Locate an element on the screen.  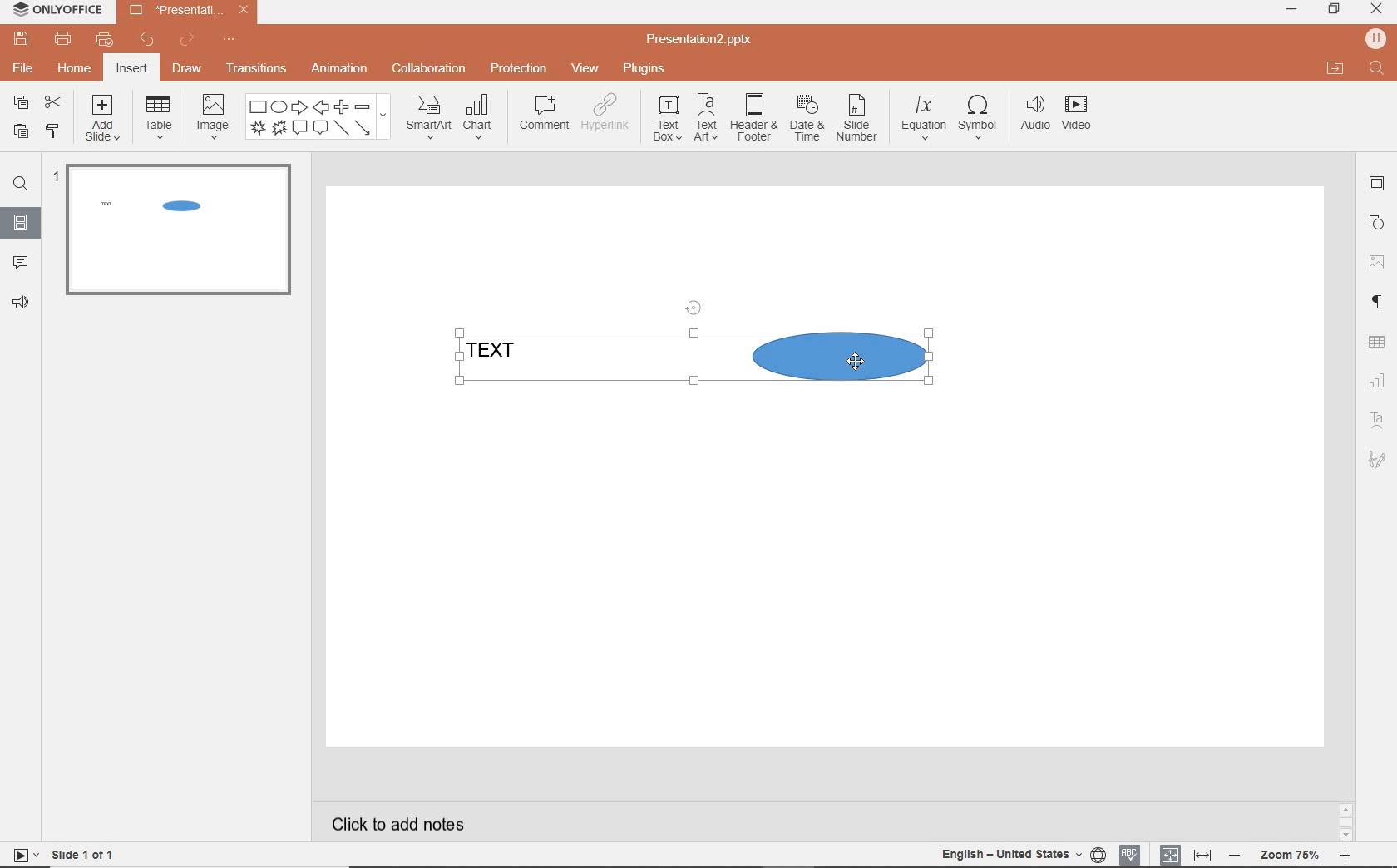
CLICK TO ADD NOTES is located at coordinates (402, 822).